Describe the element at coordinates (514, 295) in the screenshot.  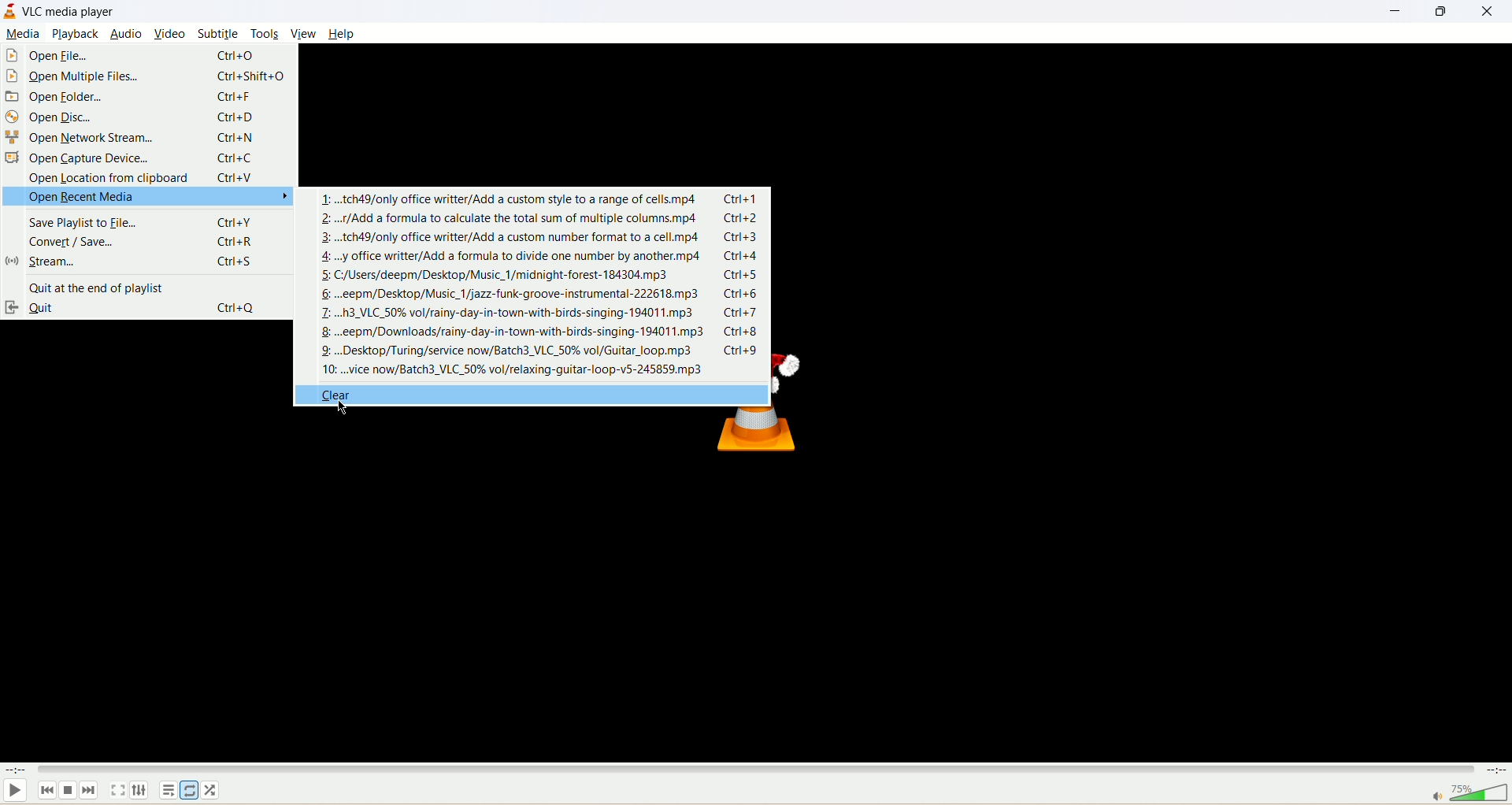
I see `6: ...eepm/Desktop/Music_1/jazz-funk-groove-instrumental-222618. mp3` at that location.